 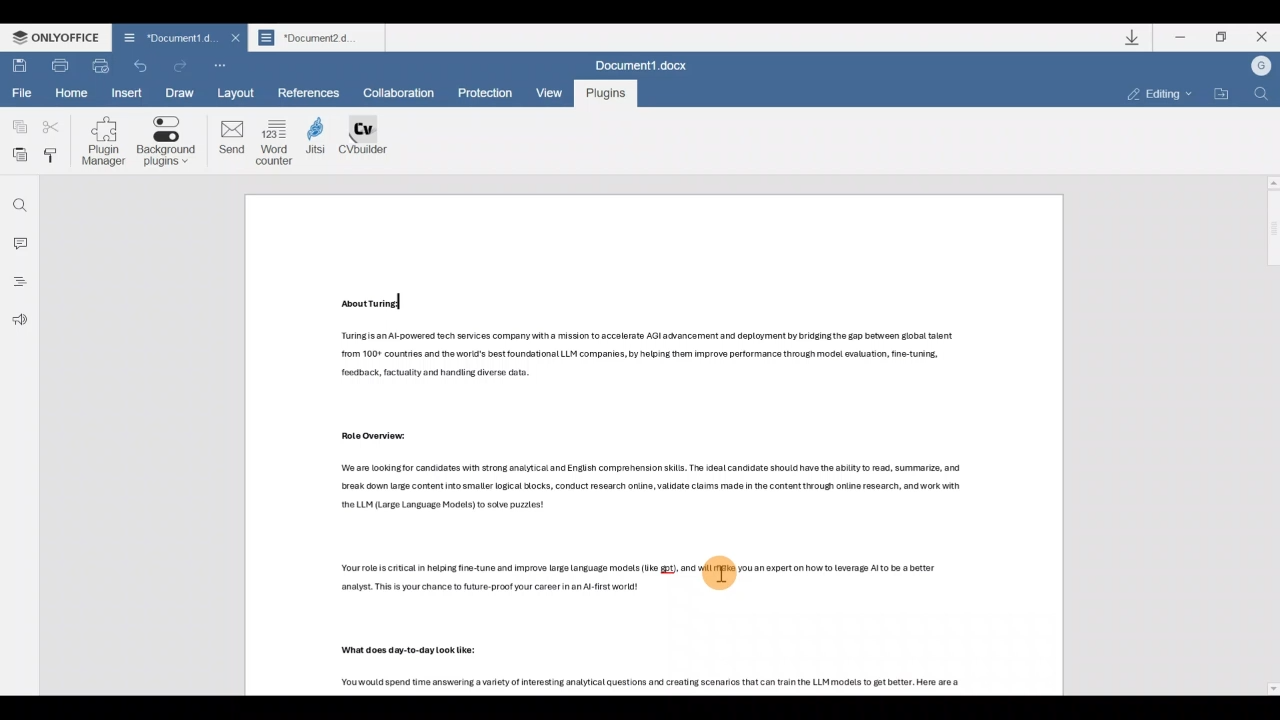 I want to click on Find, so click(x=18, y=201).